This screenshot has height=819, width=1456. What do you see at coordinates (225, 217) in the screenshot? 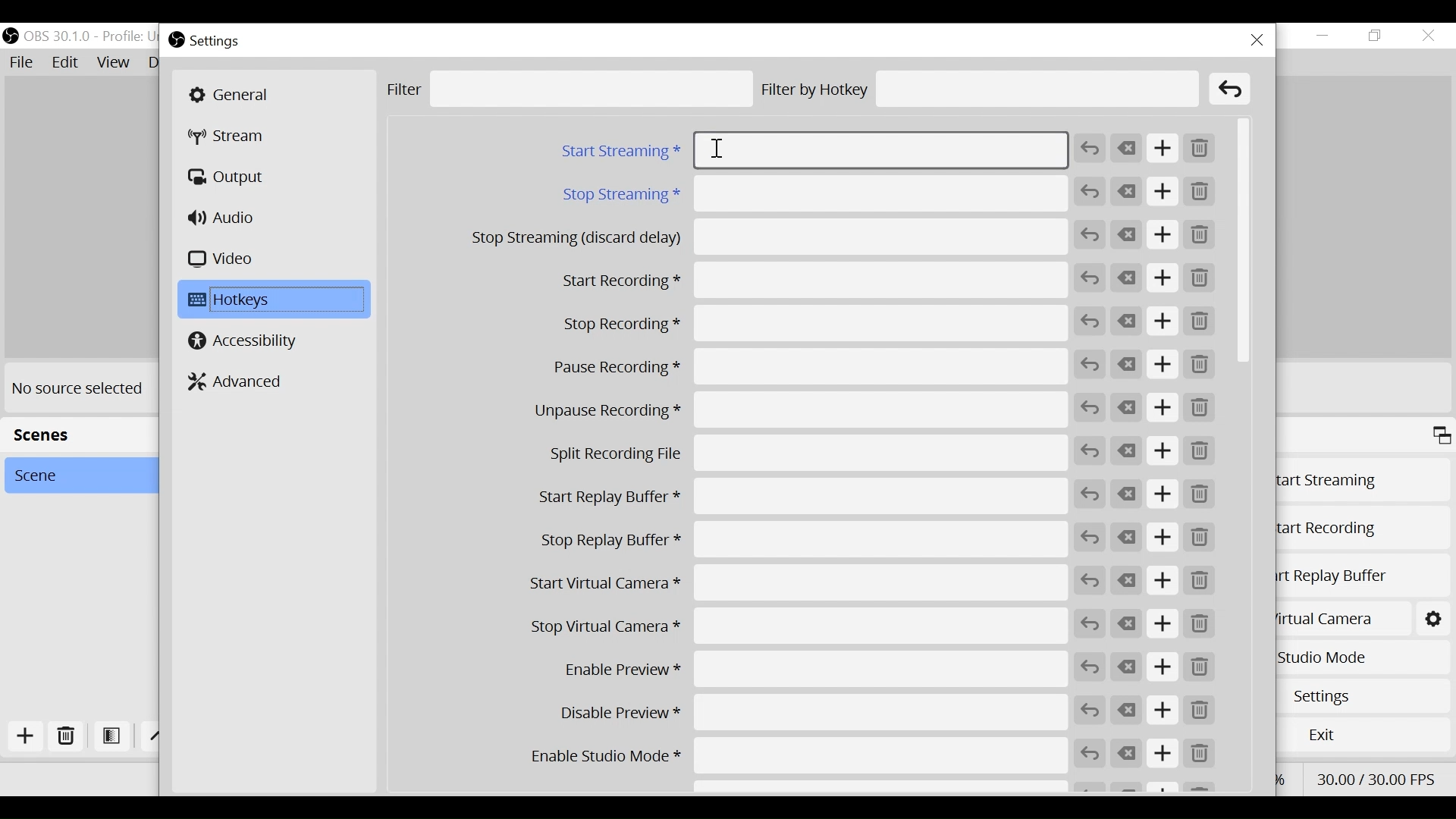
I see `Audio` at bounding box center [225, 217].